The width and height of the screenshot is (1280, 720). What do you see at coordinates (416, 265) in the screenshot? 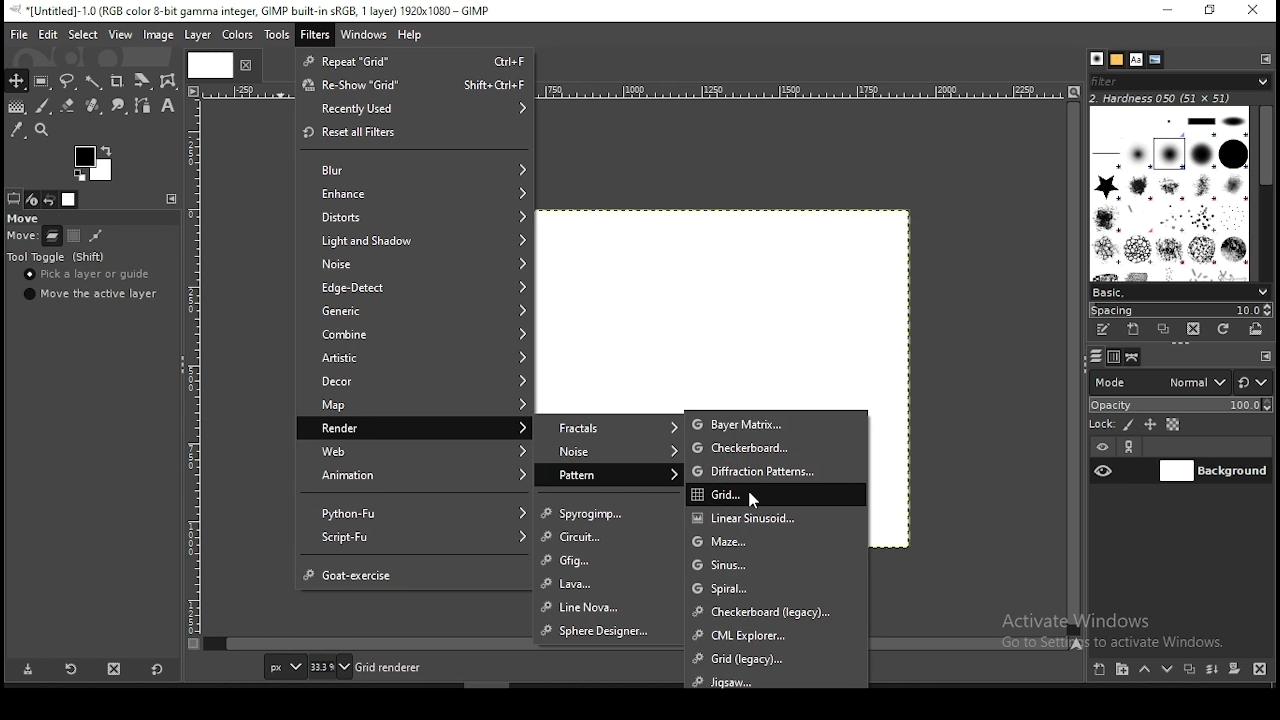
I see `noise` at bounding box center [416, 265].